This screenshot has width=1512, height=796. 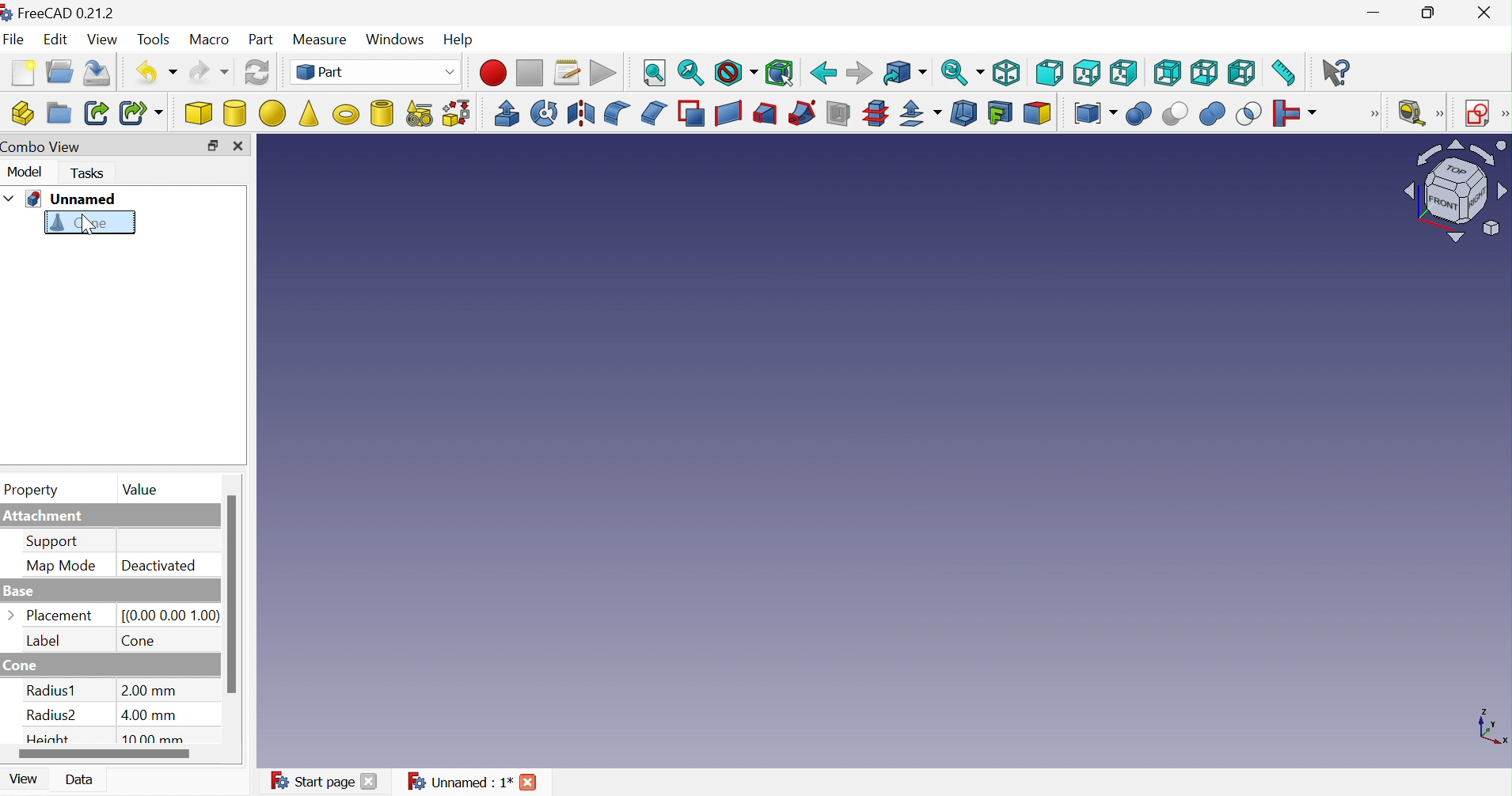 I want to click on Fit selection, so click(x=690, y=75).